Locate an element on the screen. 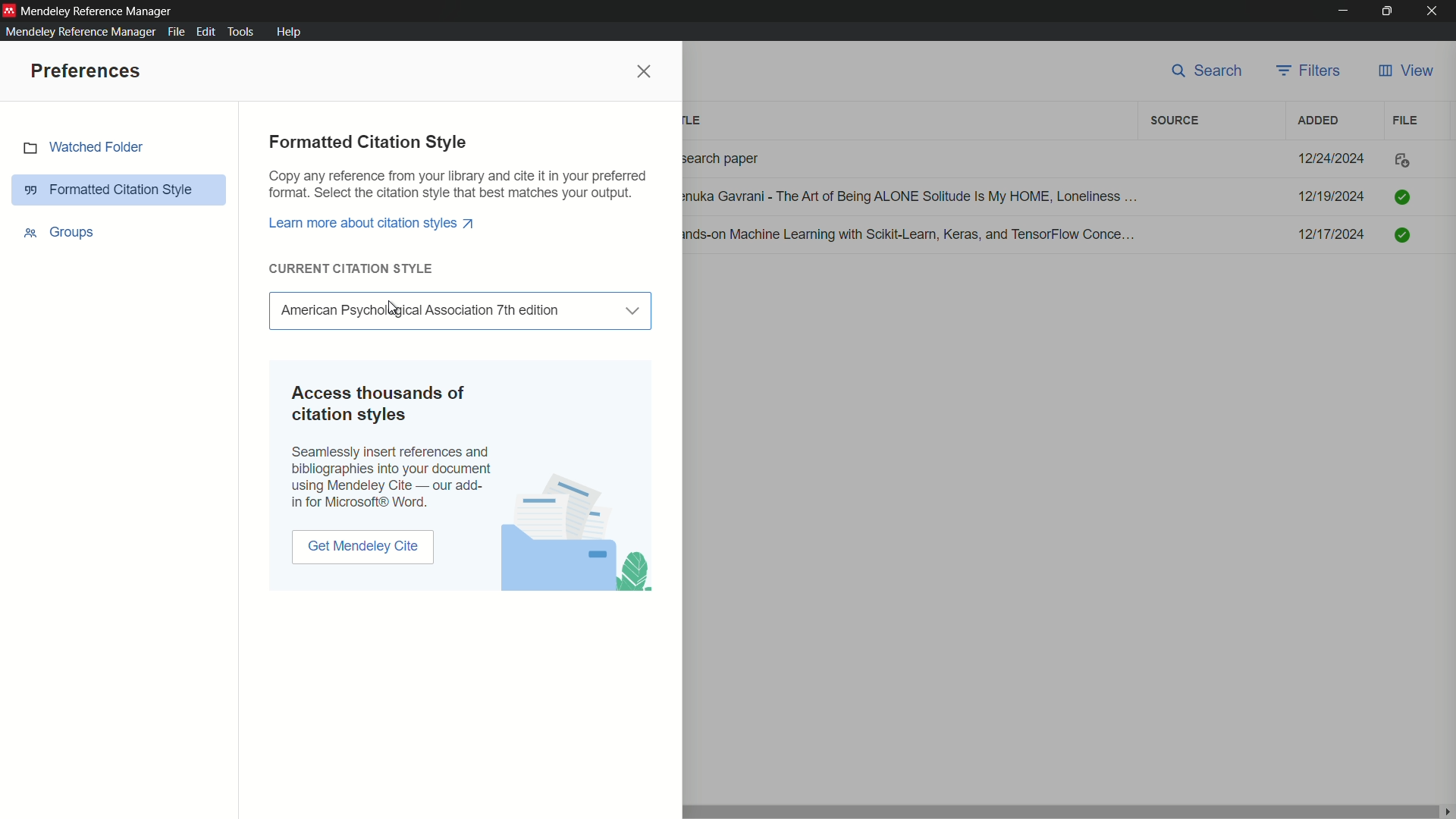 The height and width of the screenshot is (819, 1456). image is located at coordinates (579, 530).